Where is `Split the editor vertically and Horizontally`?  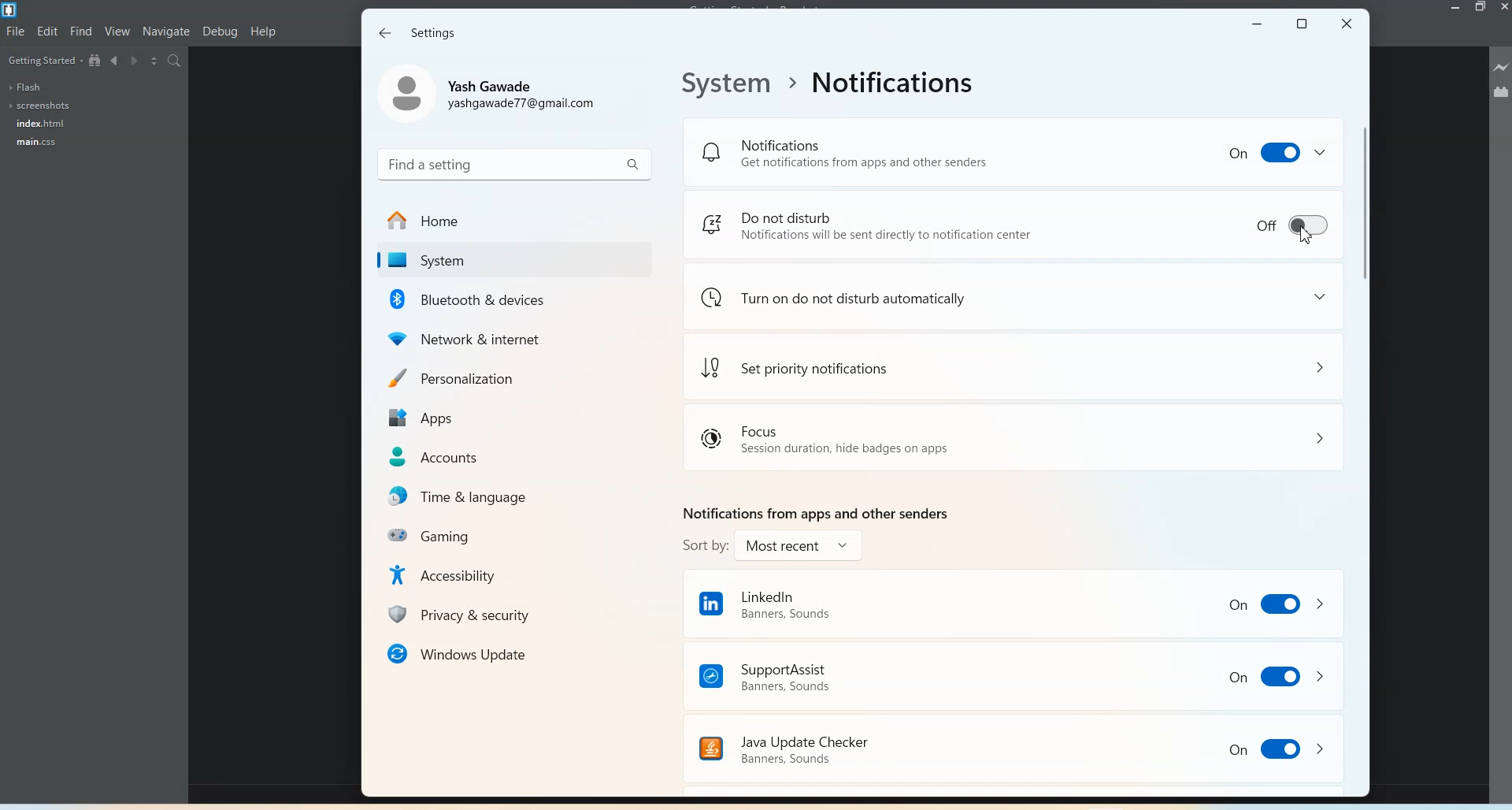 Split the editor vertically and Horizontally is located at coordinates (156, 62).